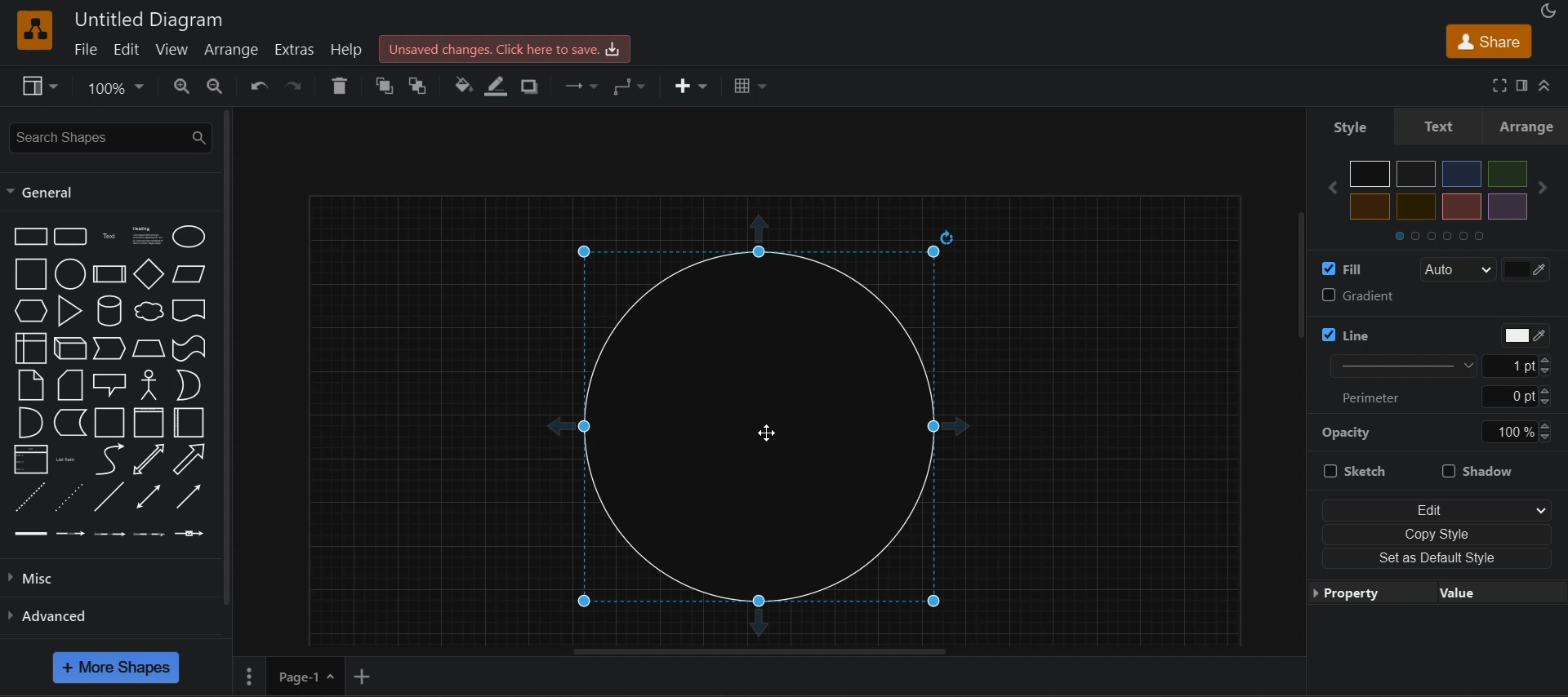 Image resolution: width=1568 pixels, height=697 pixels. What do you see at coordinates (40, 193) in the screenshot?
I see `general` at bounding box center [40, 193].